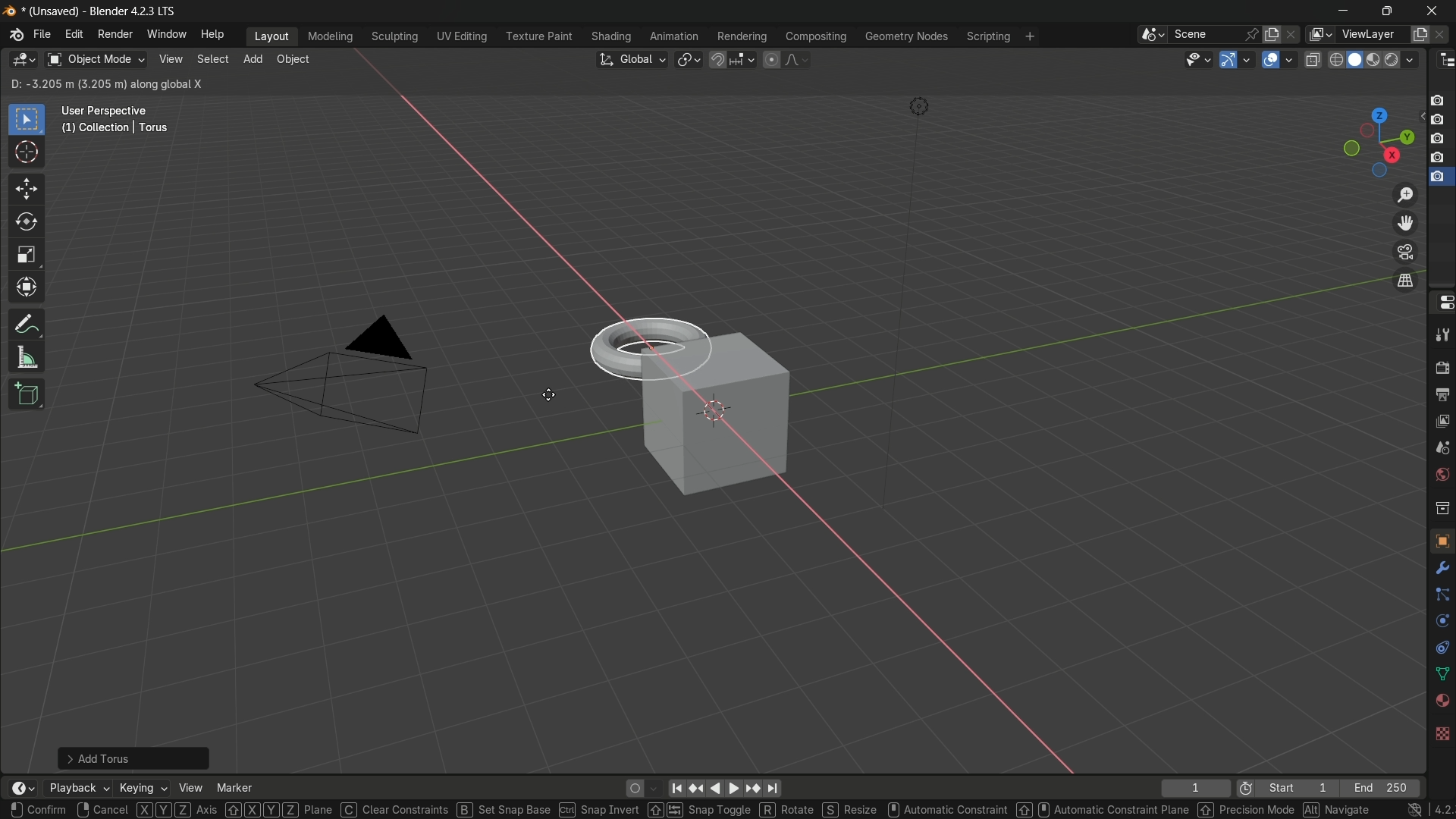  I want to click on select, so click(211, 59).